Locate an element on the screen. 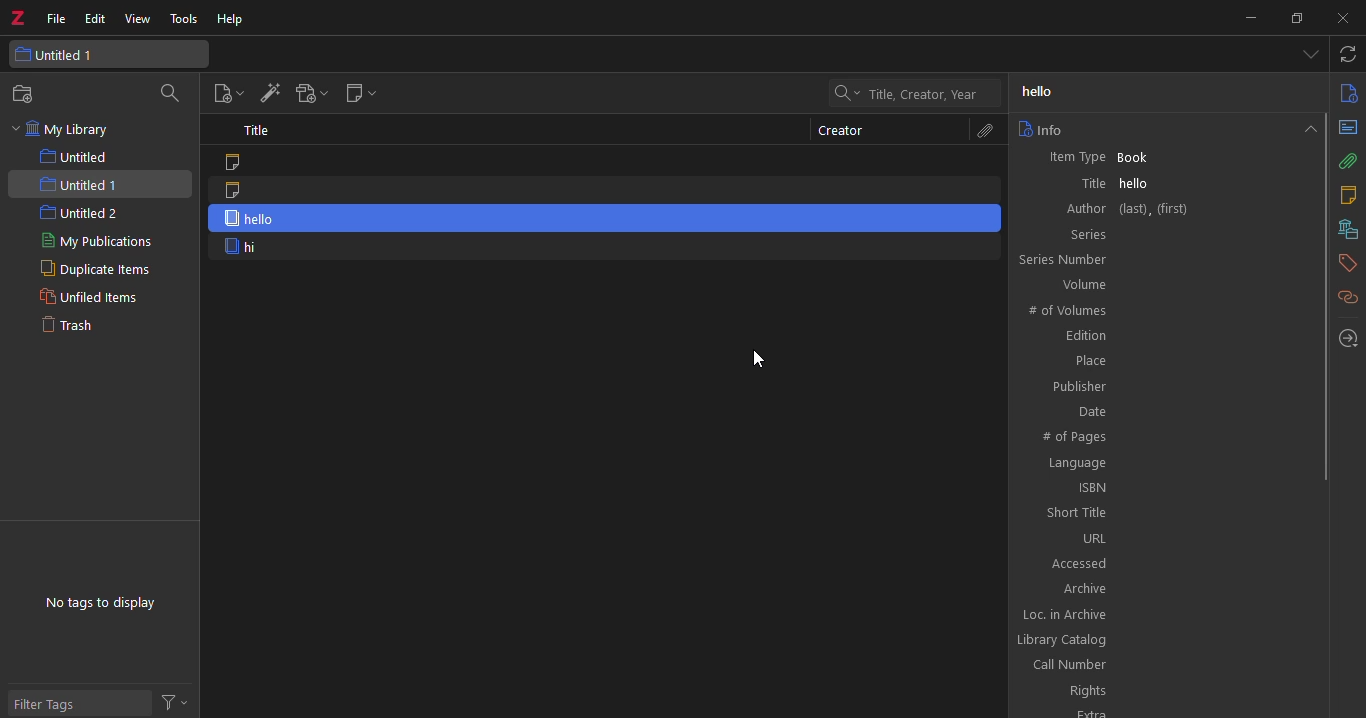  Title, Creator, Year is located at coordinates (923, 95).